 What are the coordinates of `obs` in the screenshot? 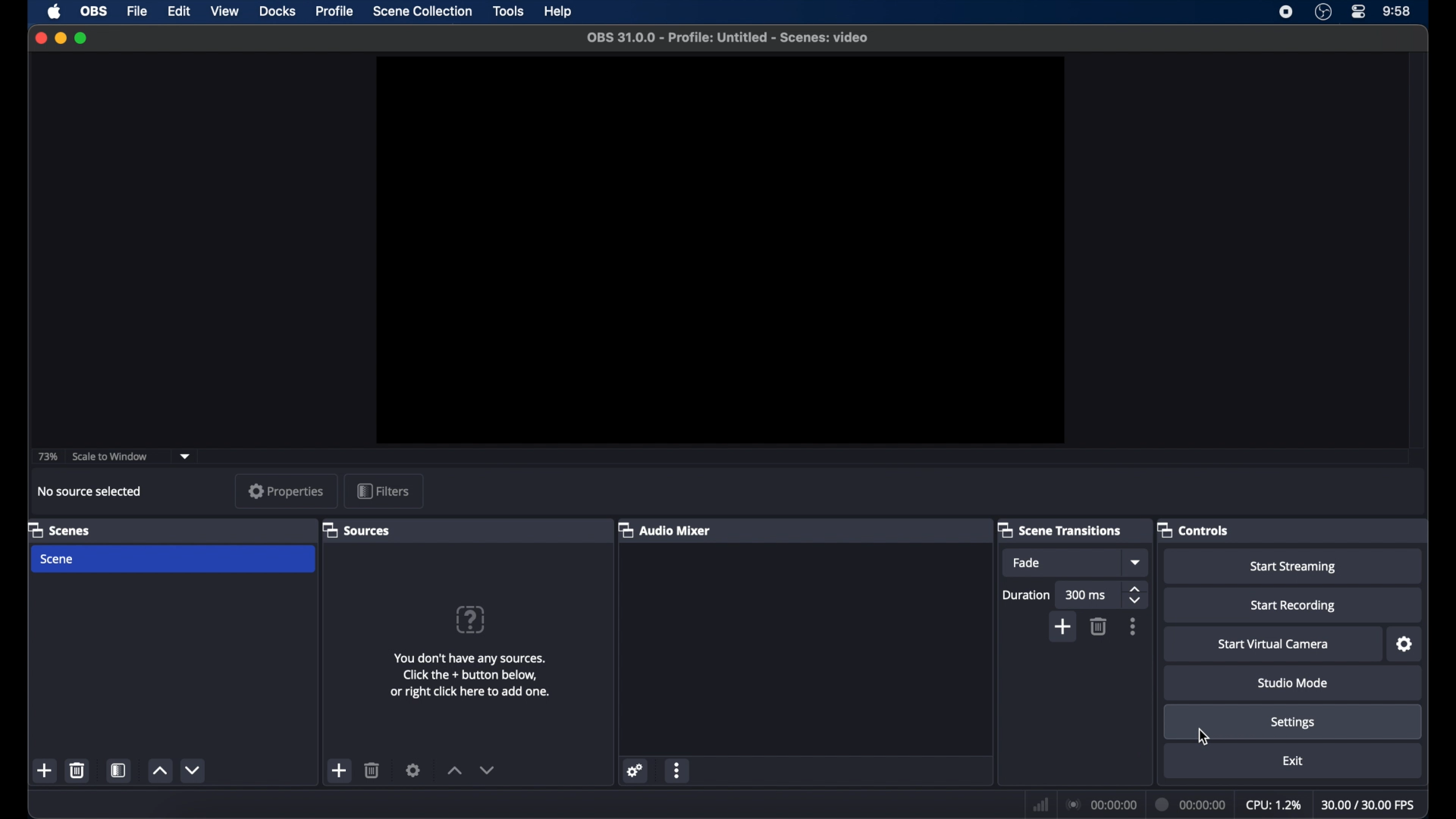 It's located at (93, 11).